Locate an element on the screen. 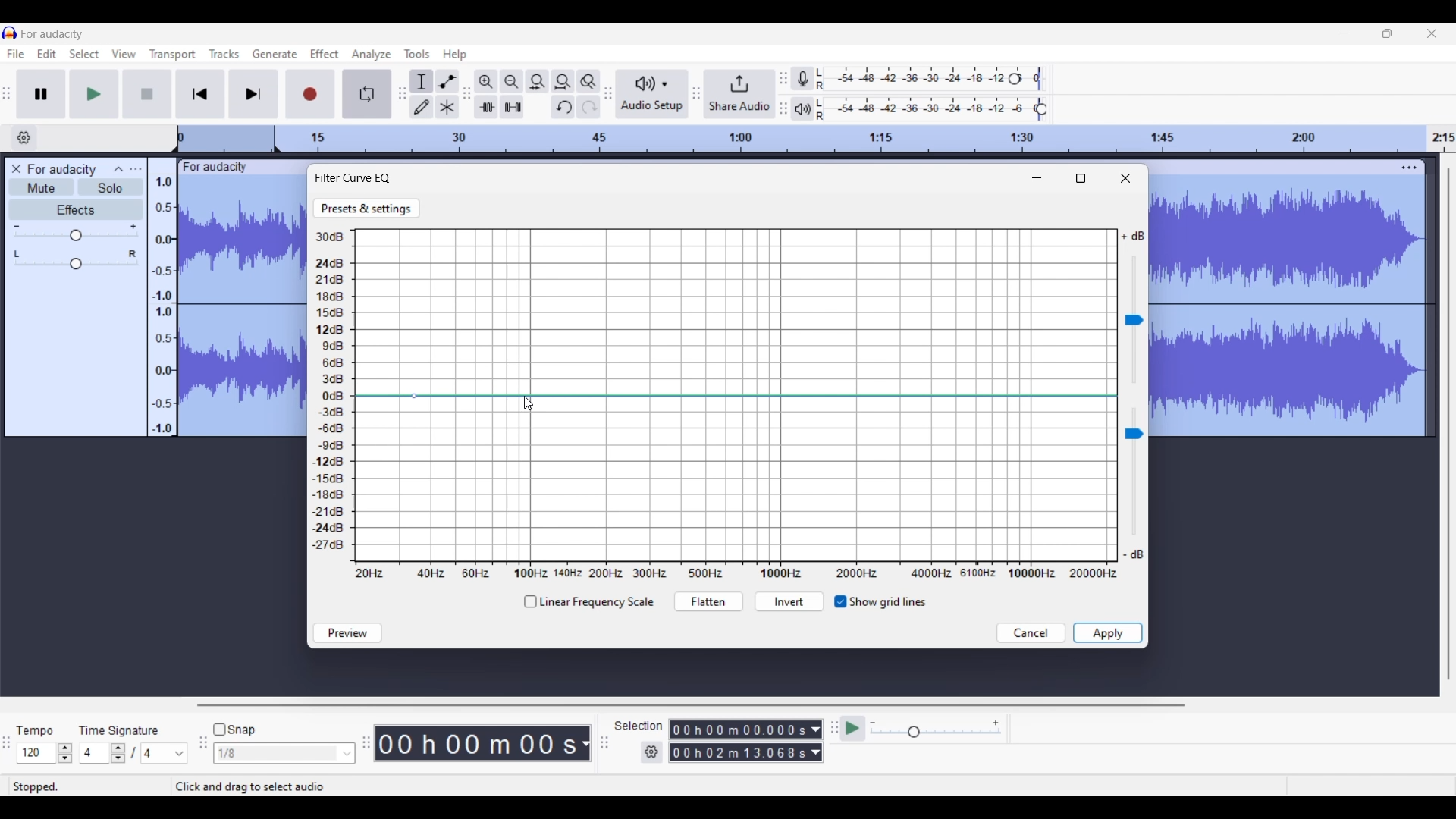 The height and width of the screenshot is (819, 1456). Type in snap is located at coordinates (277, 754).